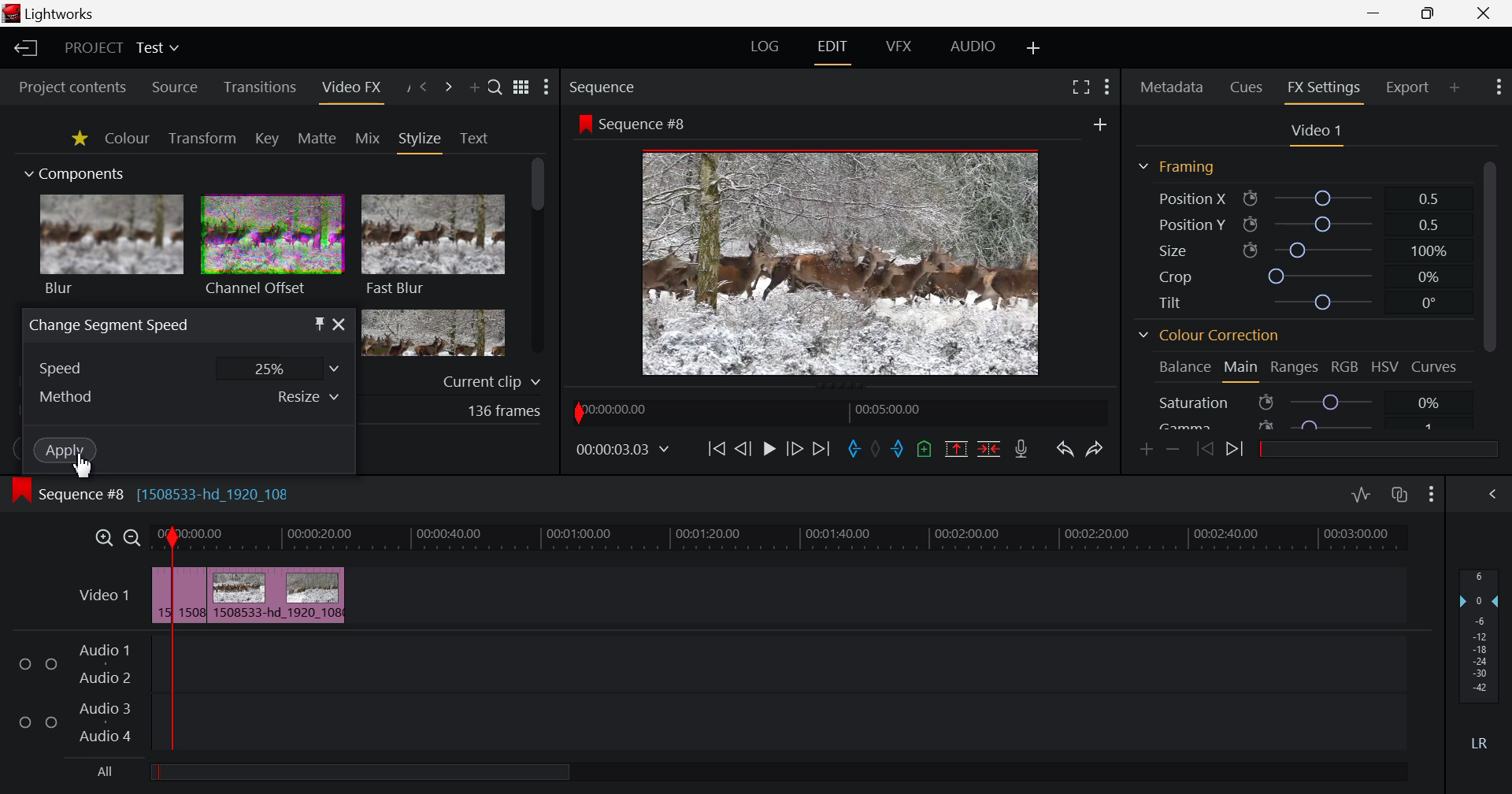 Image resolution: width=1512 pixels, height=794 pixels. Describe the element at coordinates (103, 598) in the screenshot. I see `Video Layer` at that location.